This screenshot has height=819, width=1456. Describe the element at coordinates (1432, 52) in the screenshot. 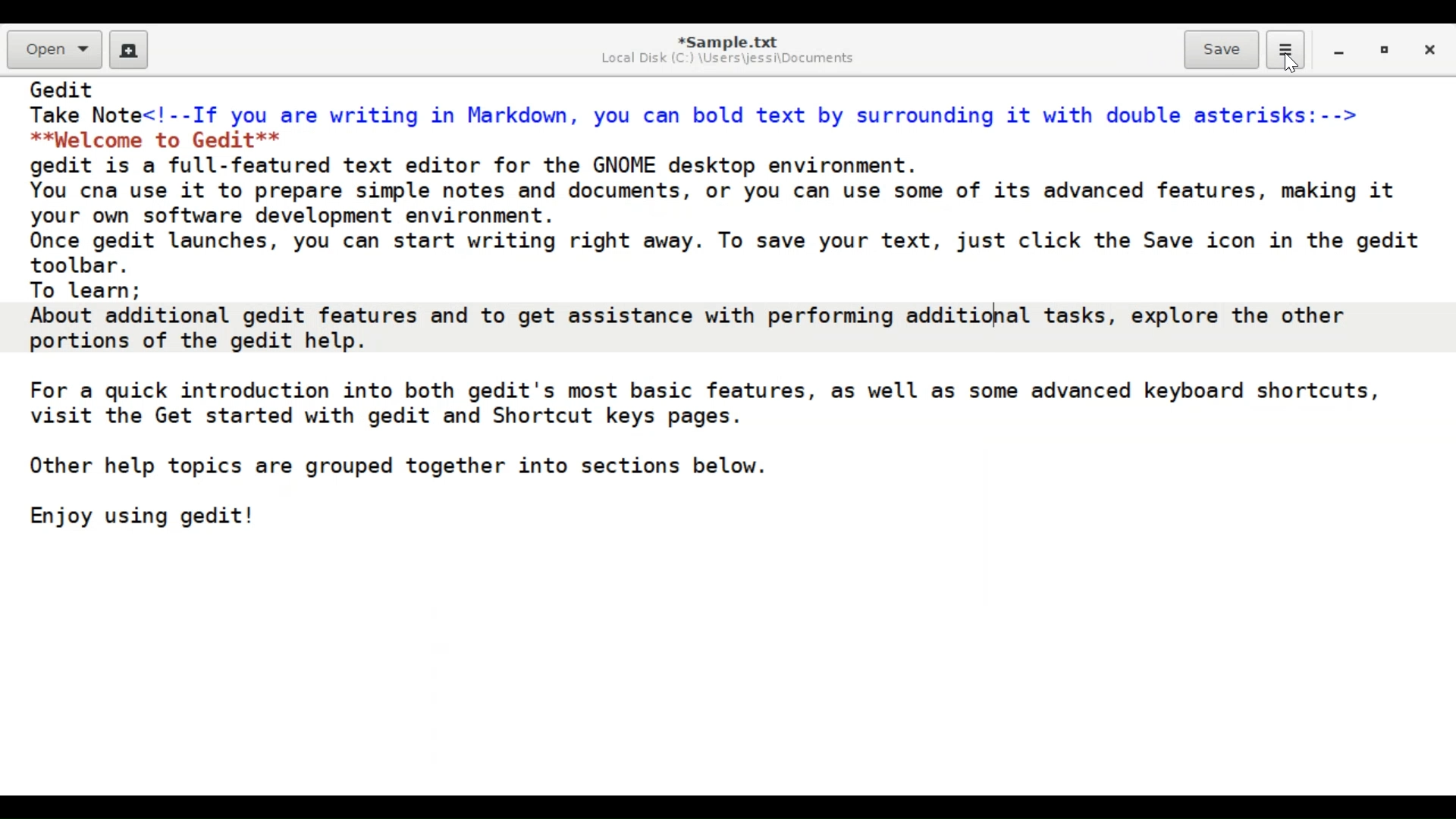

I see `Close` at that location.